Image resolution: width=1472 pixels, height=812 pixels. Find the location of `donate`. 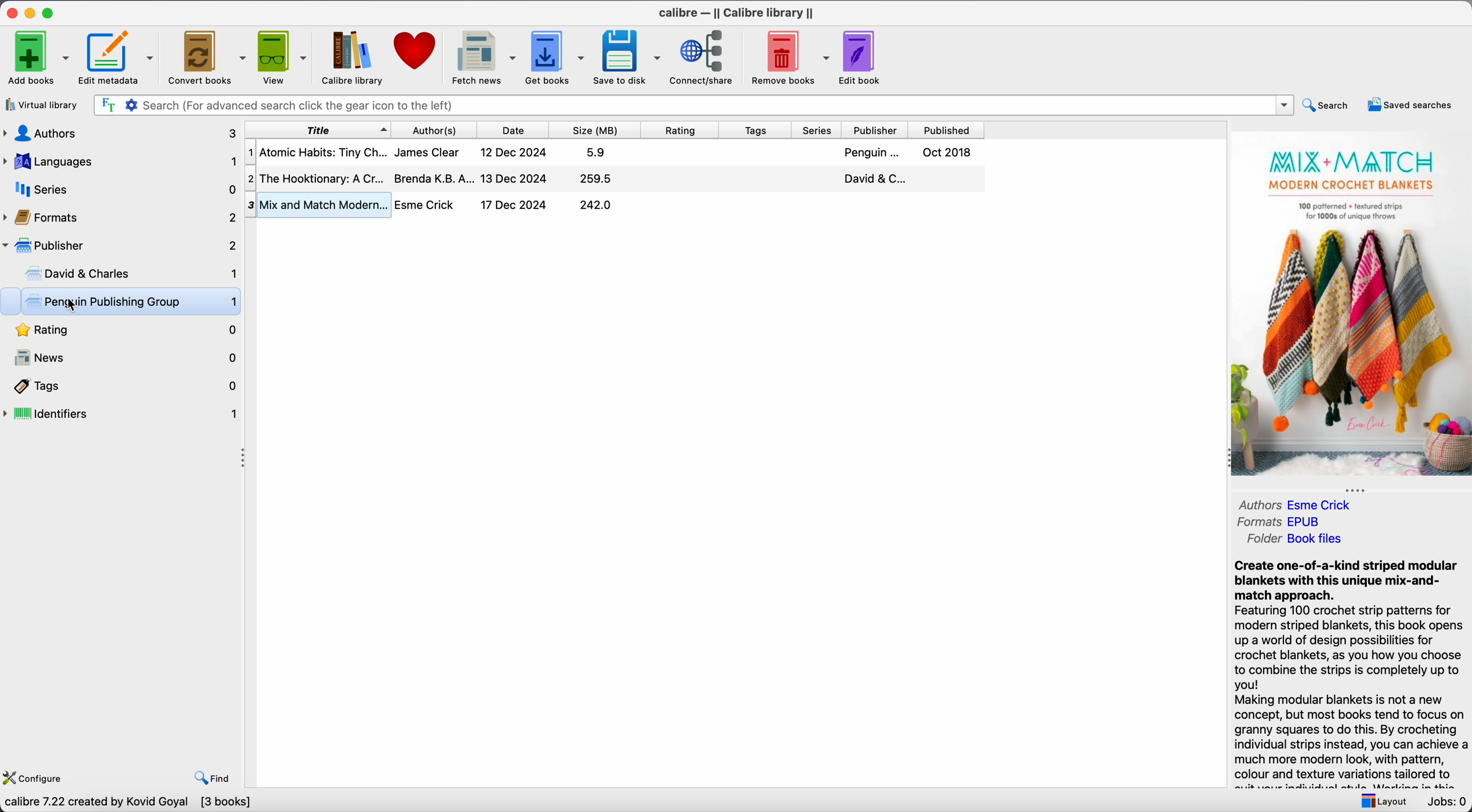

donate is located at coordinates (416, 52).